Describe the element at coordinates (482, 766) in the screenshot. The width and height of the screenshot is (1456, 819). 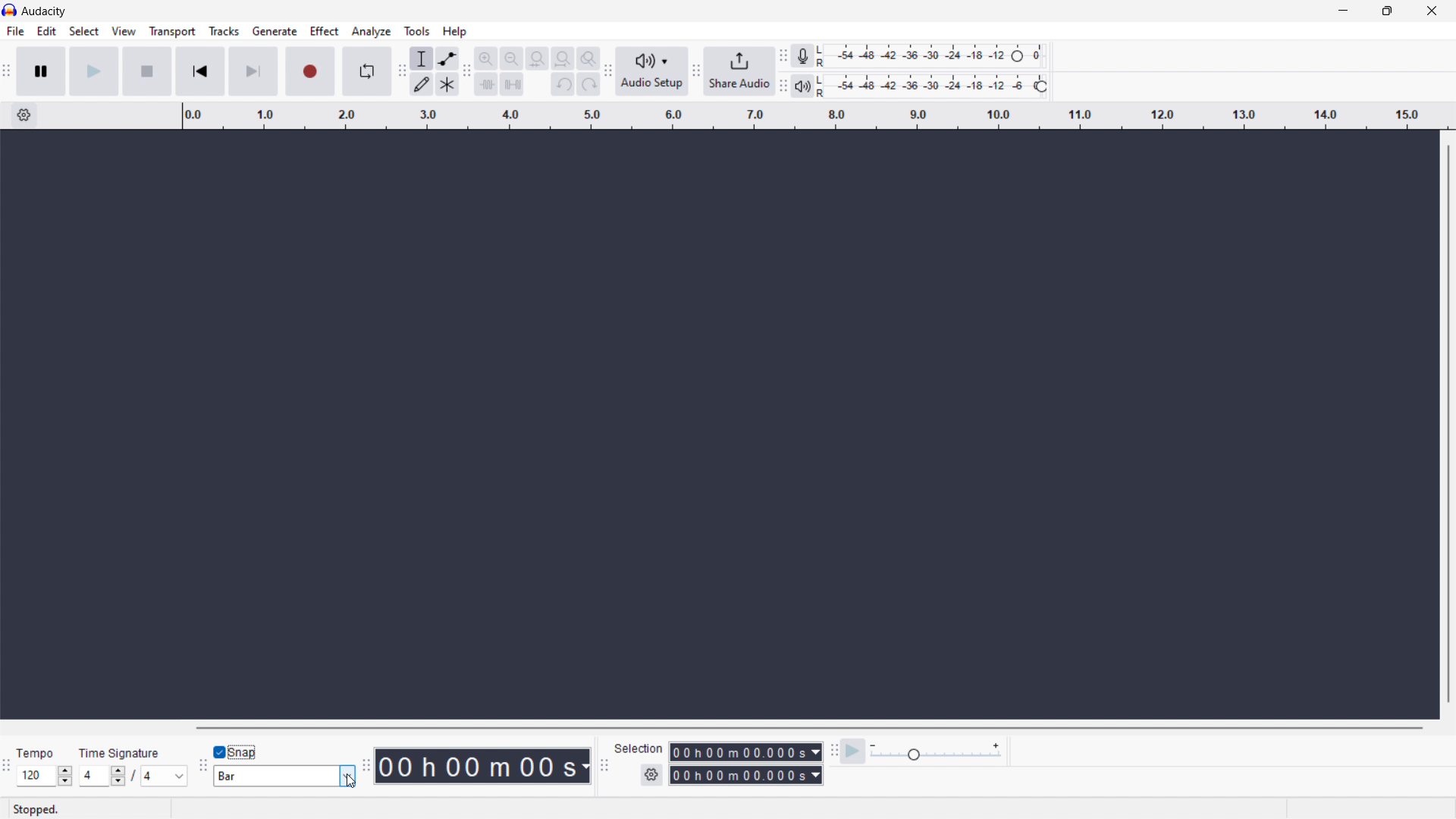
I see `time` at that location.